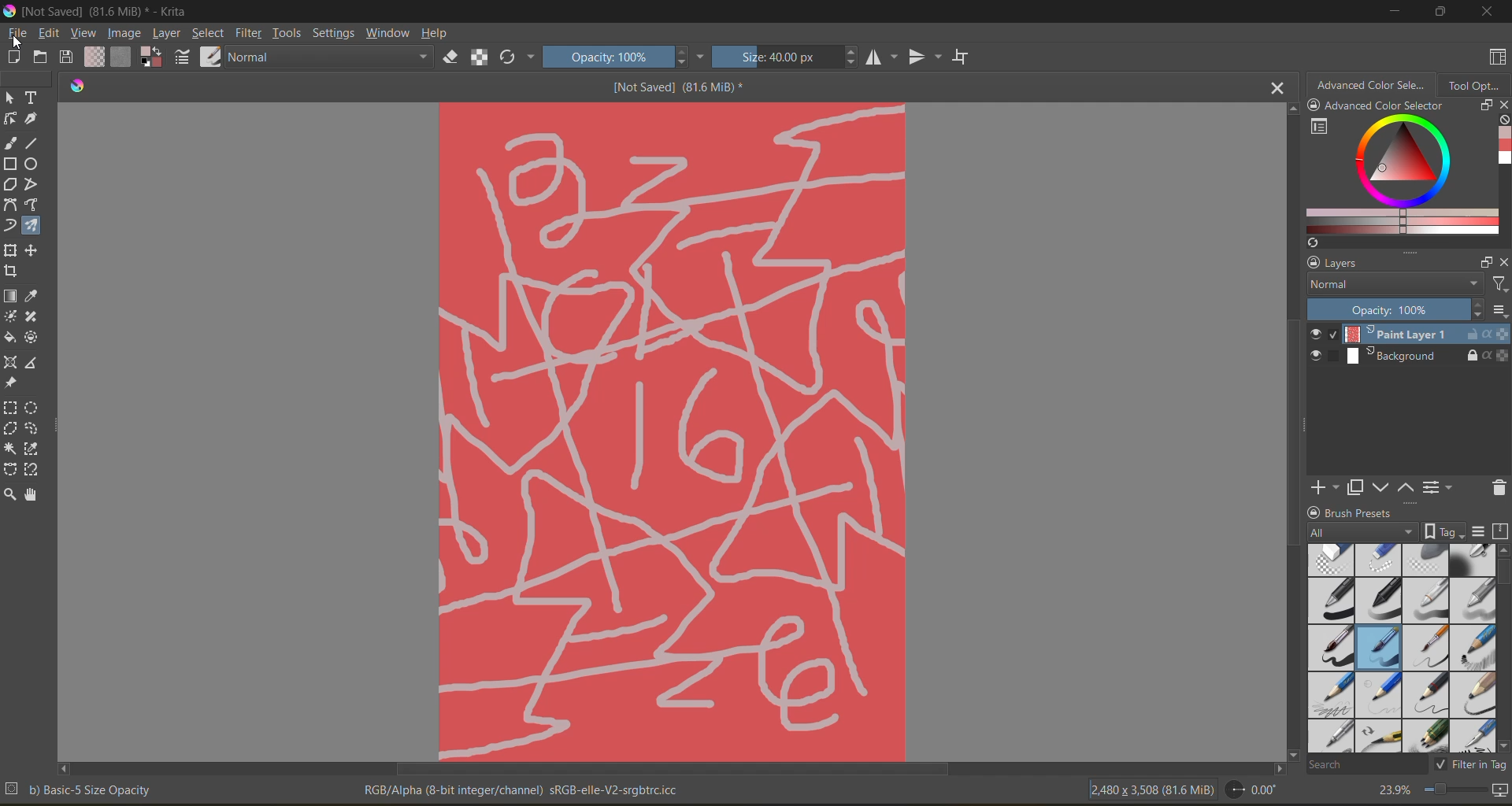  What do you see at coordinates (1503, 262) in the screenshot?
I see `close` at bounding box center [1503, 262].